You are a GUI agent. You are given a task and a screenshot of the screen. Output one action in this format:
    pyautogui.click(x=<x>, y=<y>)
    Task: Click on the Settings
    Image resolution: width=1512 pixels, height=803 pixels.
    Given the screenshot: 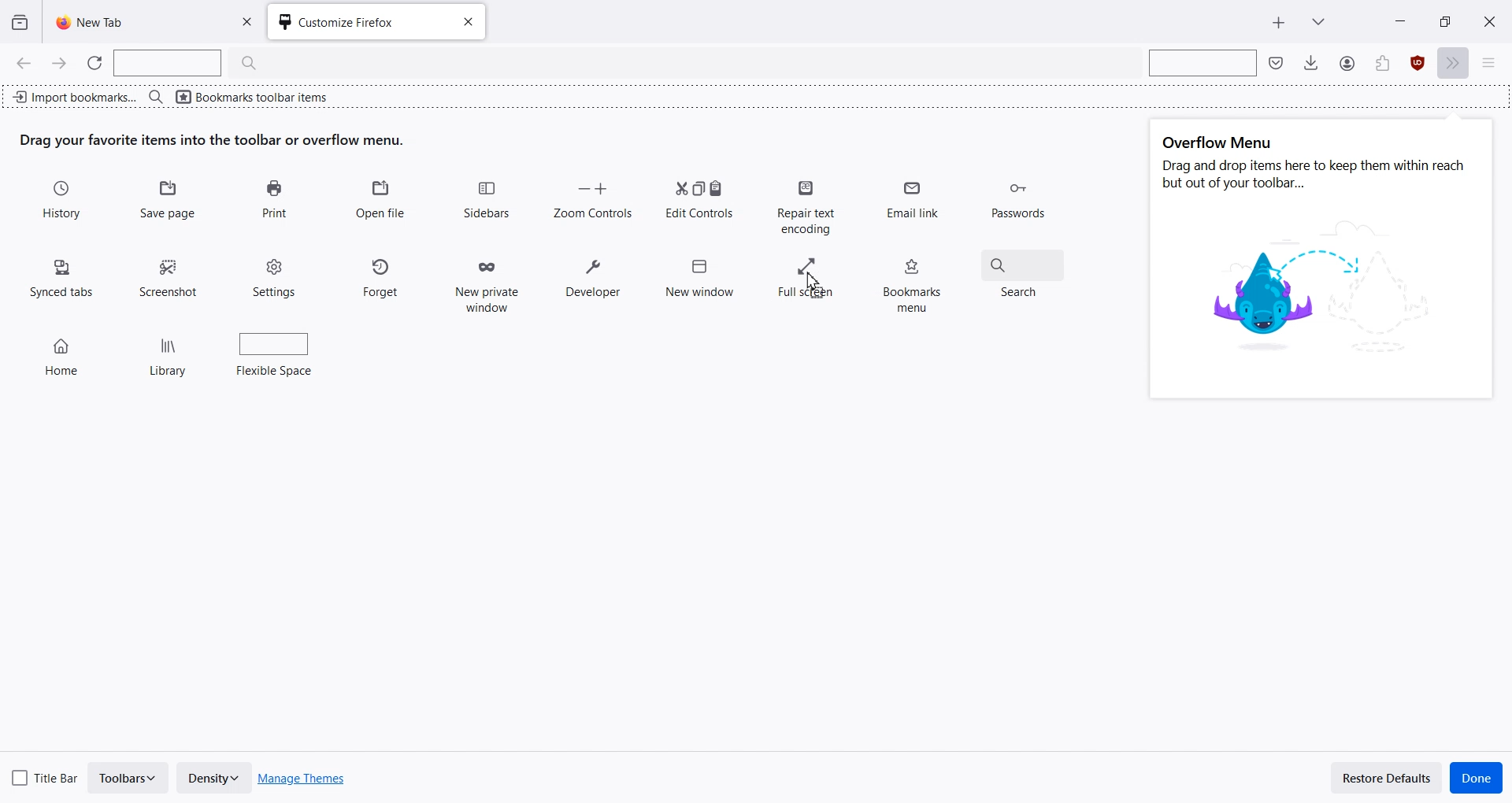 What is the action you would take?
    pyautogui.click(x=276, y=276)
    